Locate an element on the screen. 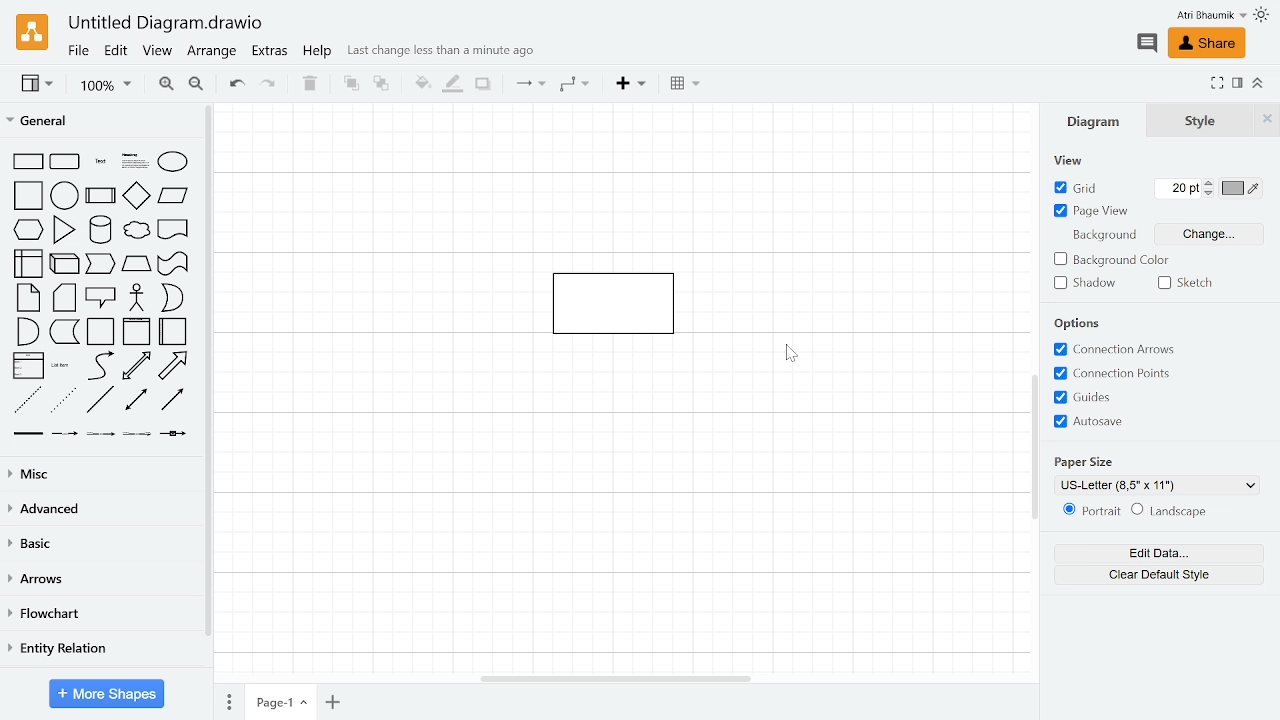 Image resolution: width=1280 pixels, height=720 pixels. Sketch is located at coordinates (1188, 283).